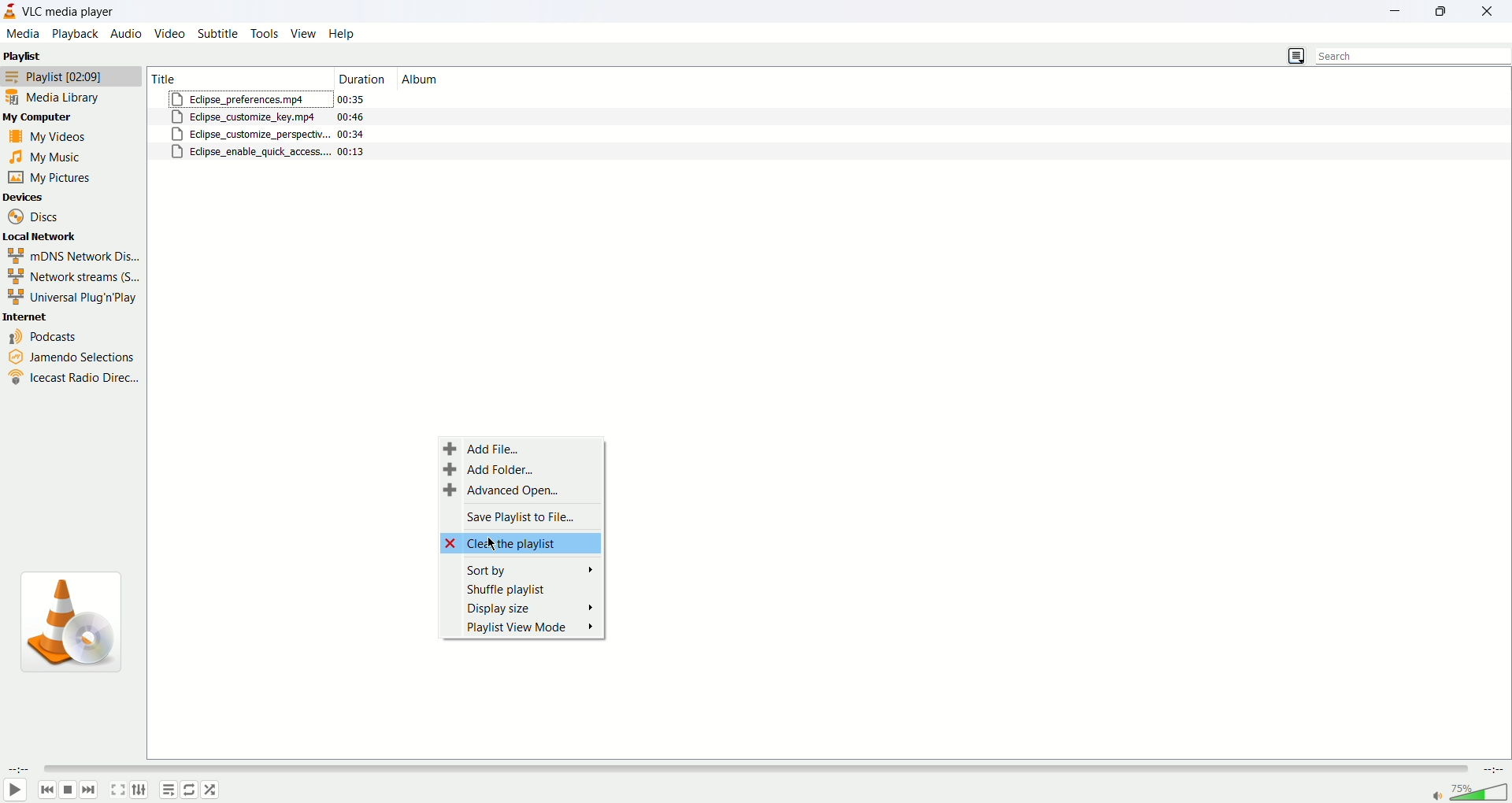  I want to click on seek bar, so click(754, 770).